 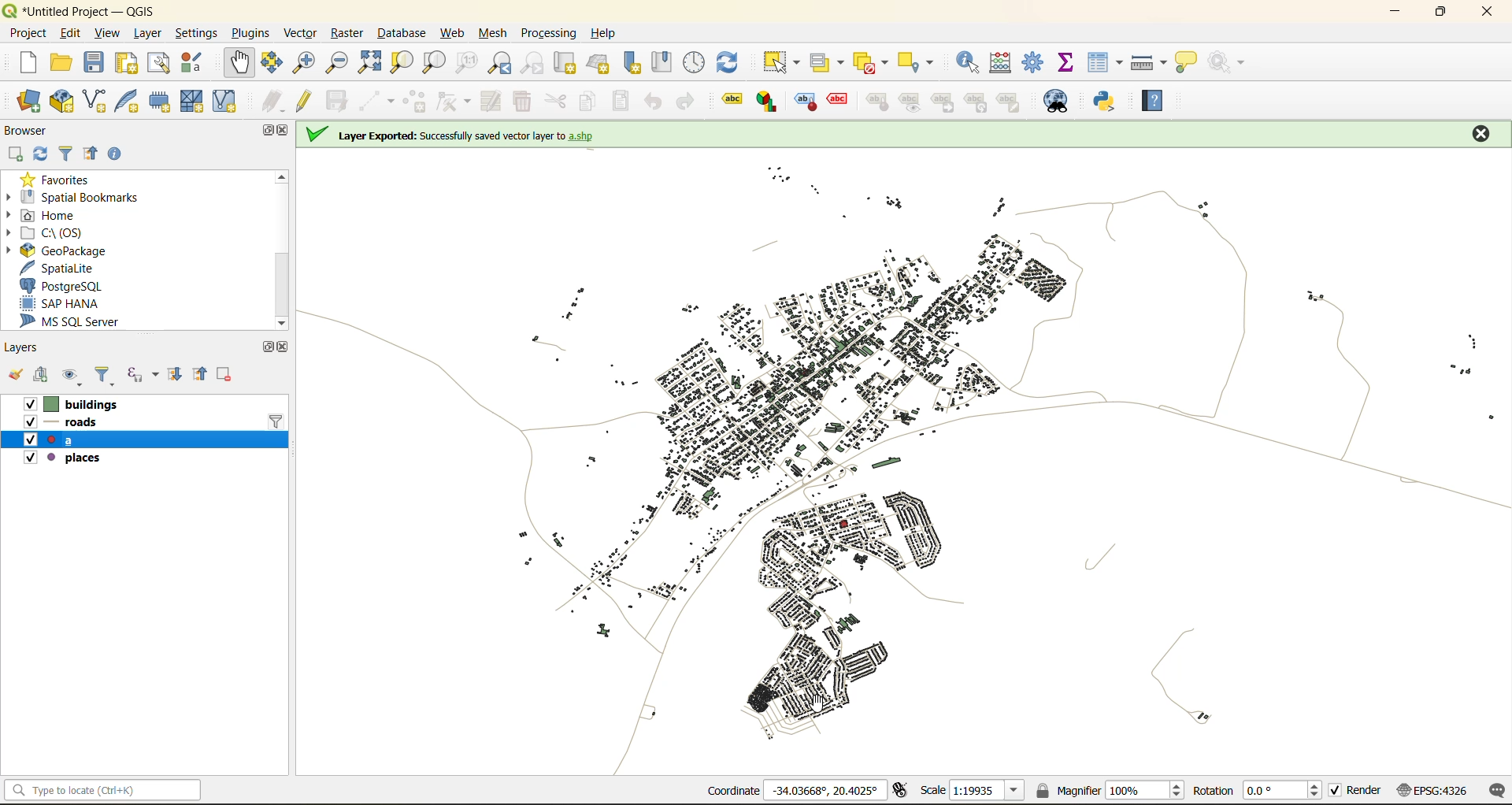 What do you see at coordinates (765, 102) in the screenshot?
I see `layer diagram` at bounding box center [765, 102].